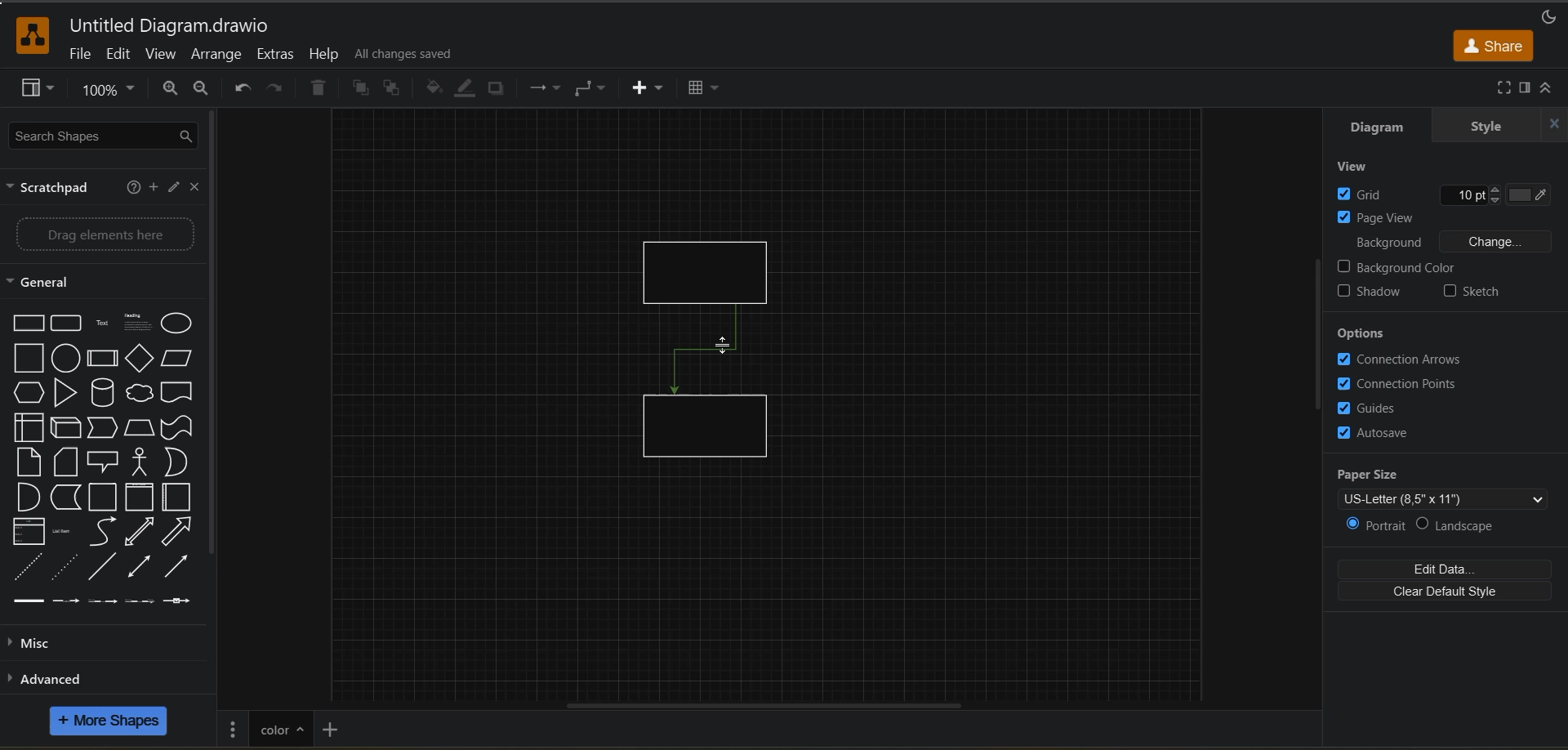 This screenshot has height=750, width=1568. What do you see at coordinates (26, 462) in the screenshot?
I see `Card` at bounding box center [26, 462].